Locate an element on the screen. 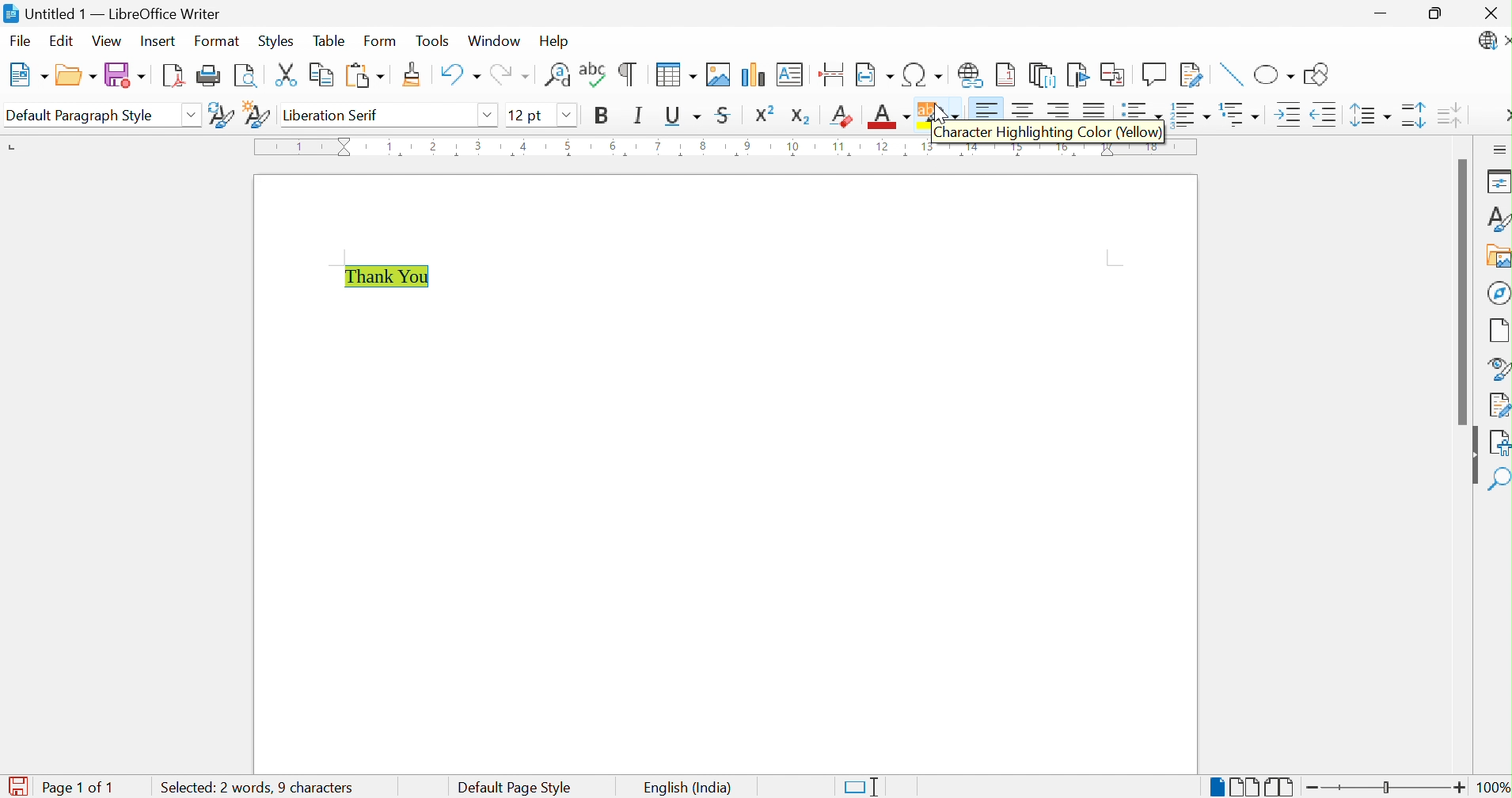 This screenshot has width=1512, height=798. Update Selected Style is located at coordinates (222, 116).